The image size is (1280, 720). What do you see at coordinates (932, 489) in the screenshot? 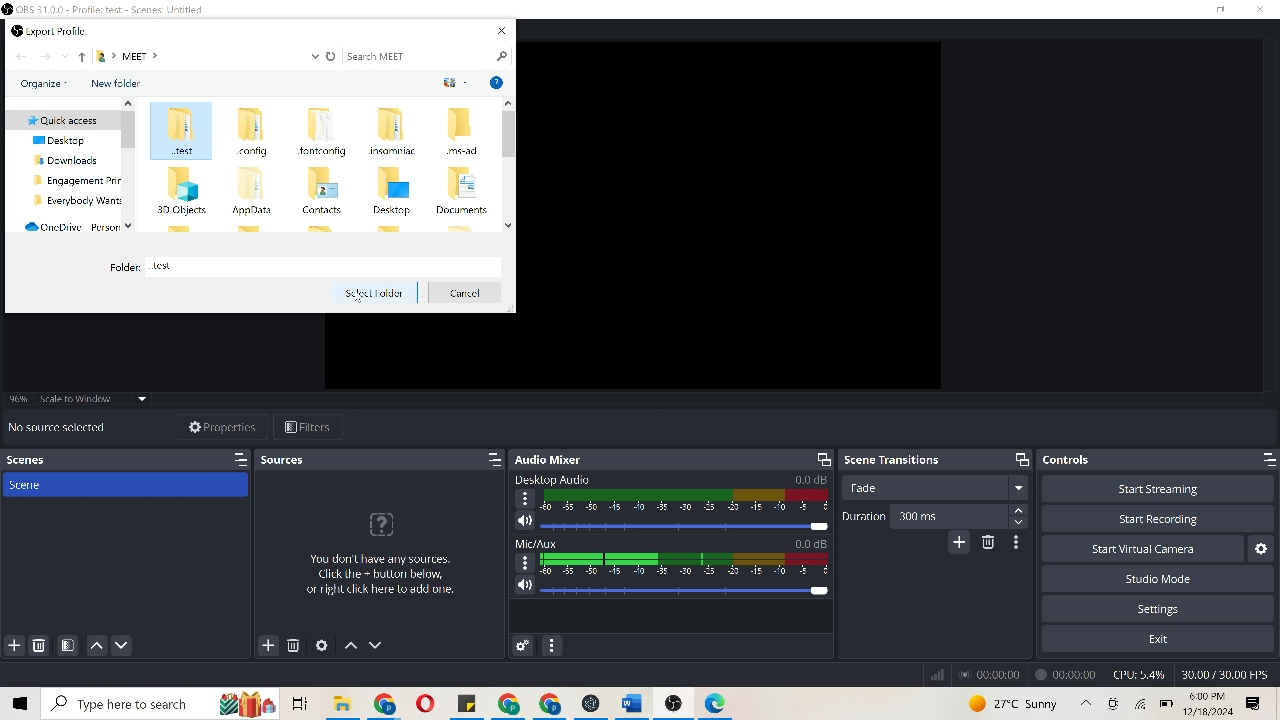
I see `trade` at bounding box center [932, 489].